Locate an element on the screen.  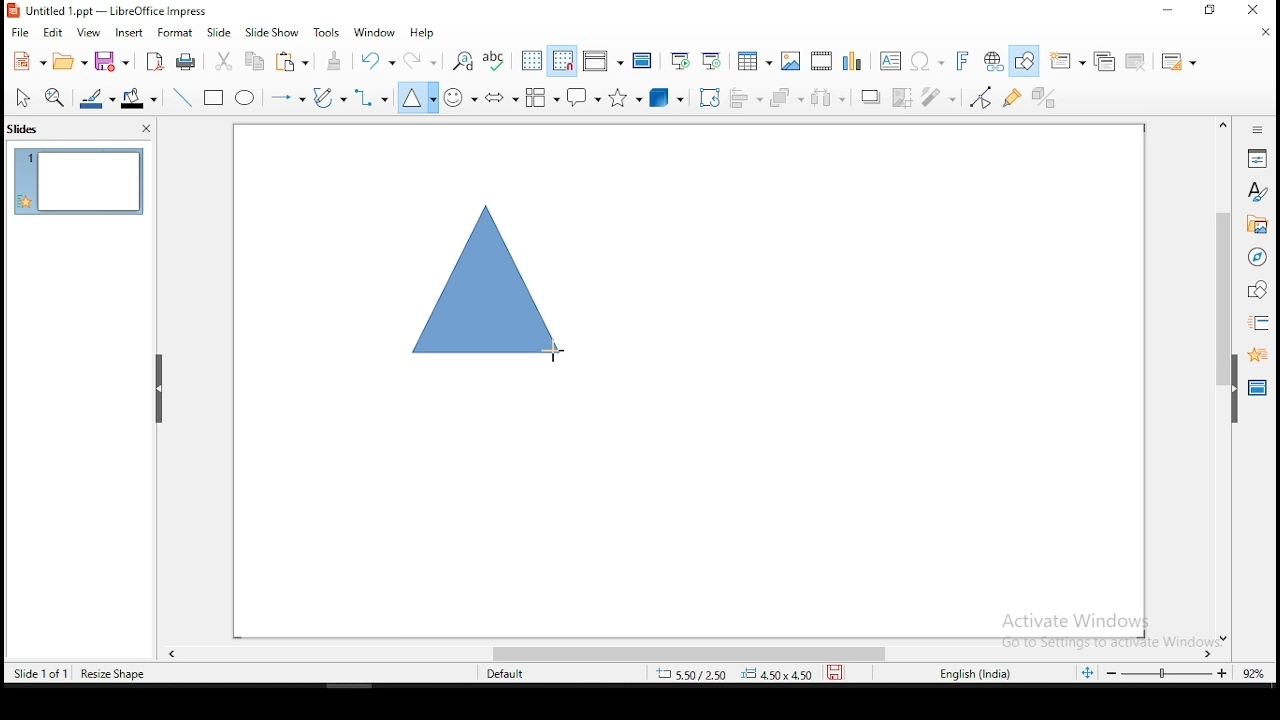
crop tool is located at coordinates (707, 97).